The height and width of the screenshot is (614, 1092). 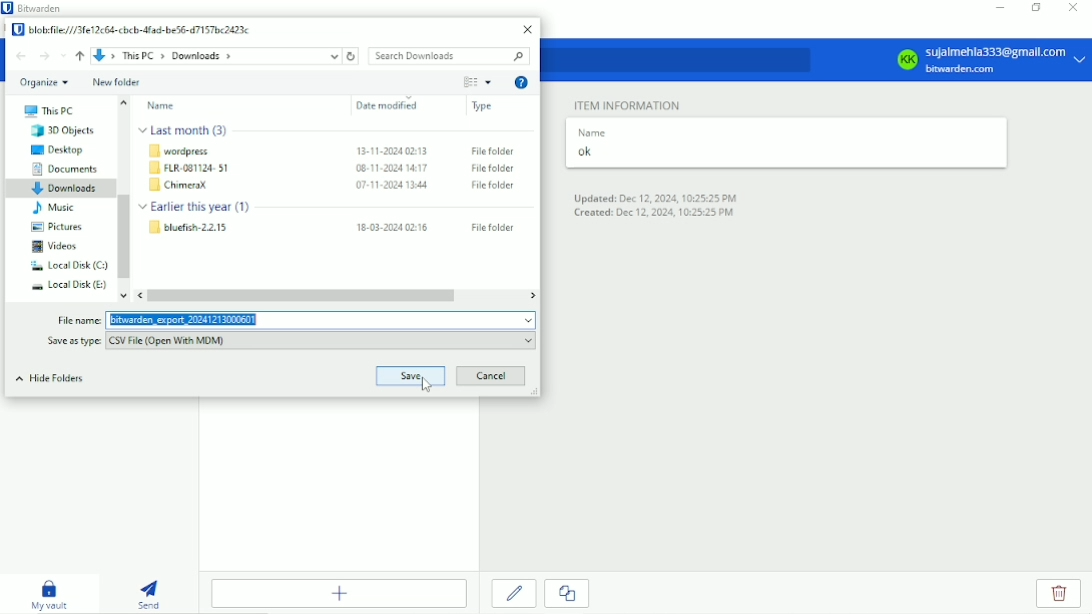 I want to click on My vault, so click(x=49, y=593).